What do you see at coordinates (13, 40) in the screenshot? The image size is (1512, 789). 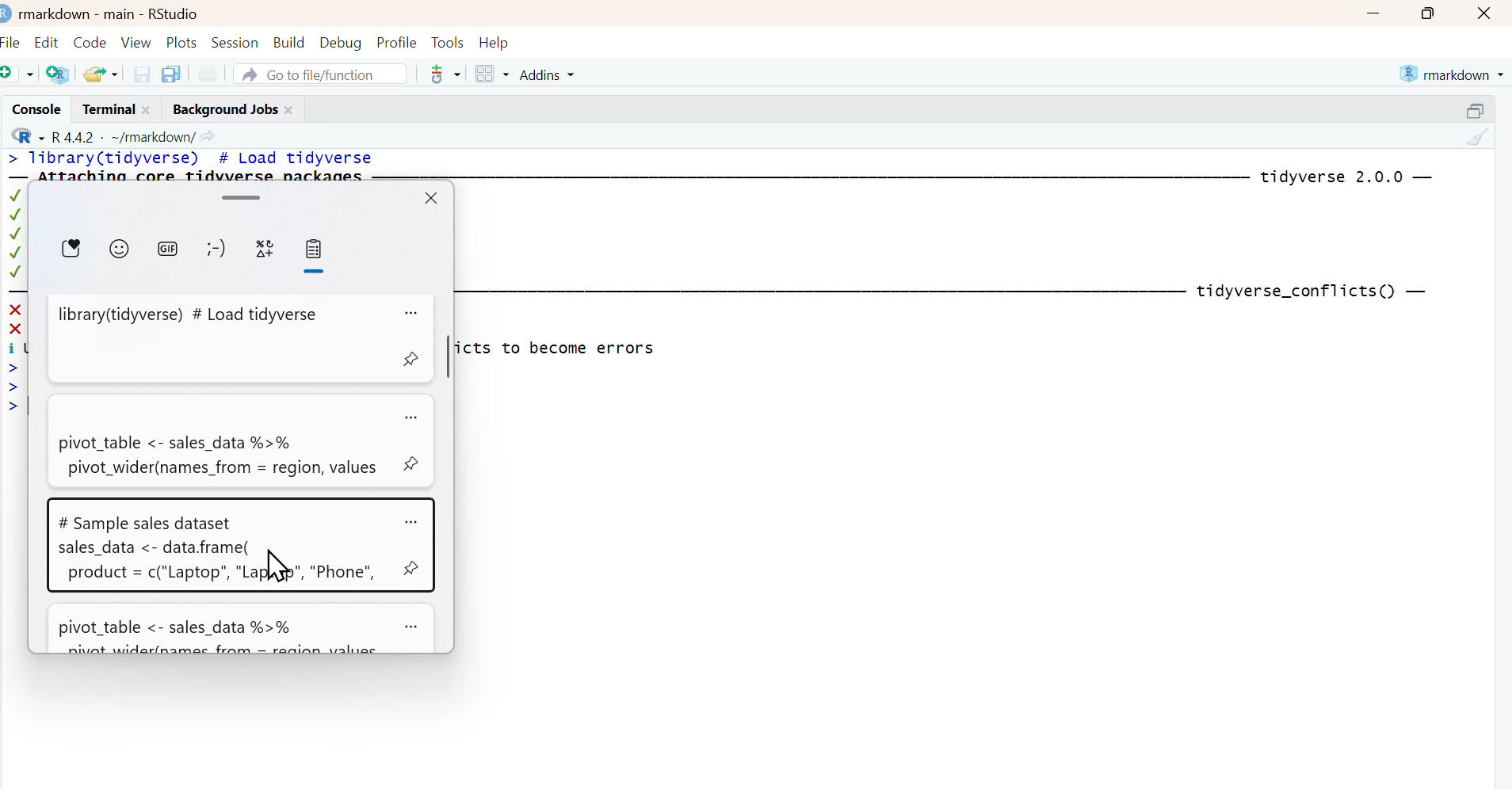 I see `File` at bounding box center [13, 40].